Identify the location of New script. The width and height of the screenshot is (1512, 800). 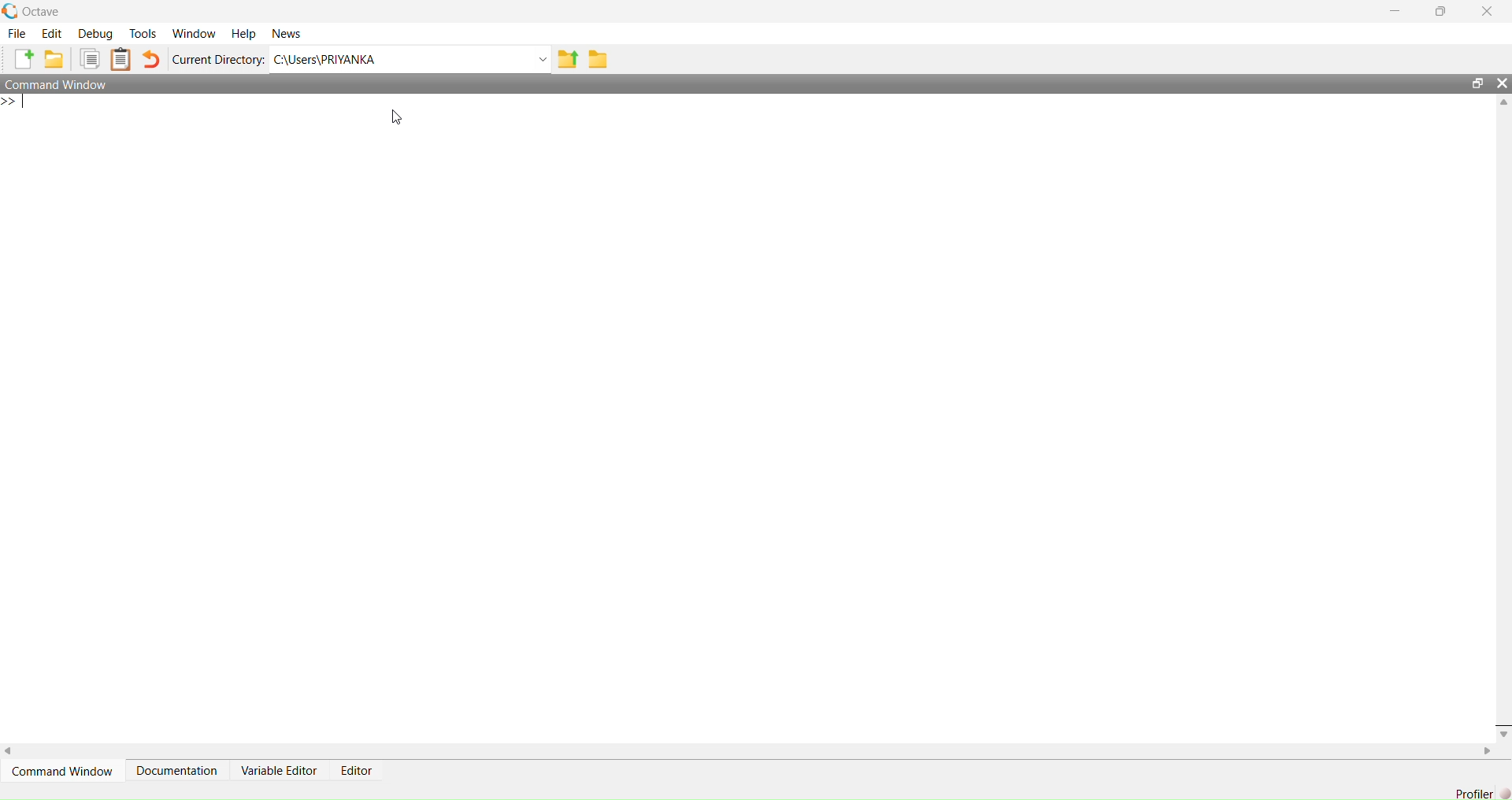
(22, 57).